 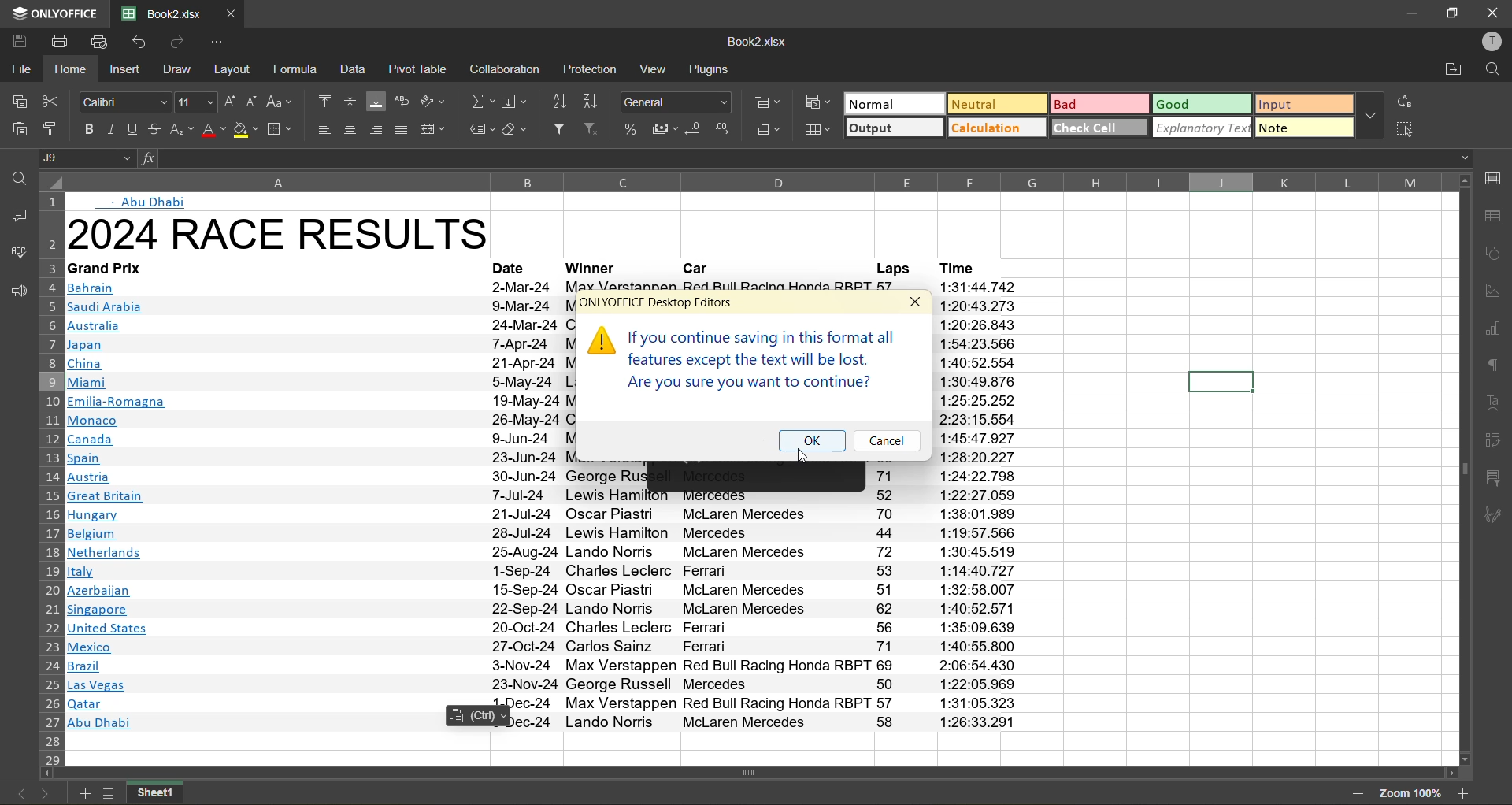 I want to click on font style, so click(x=128, y=97).